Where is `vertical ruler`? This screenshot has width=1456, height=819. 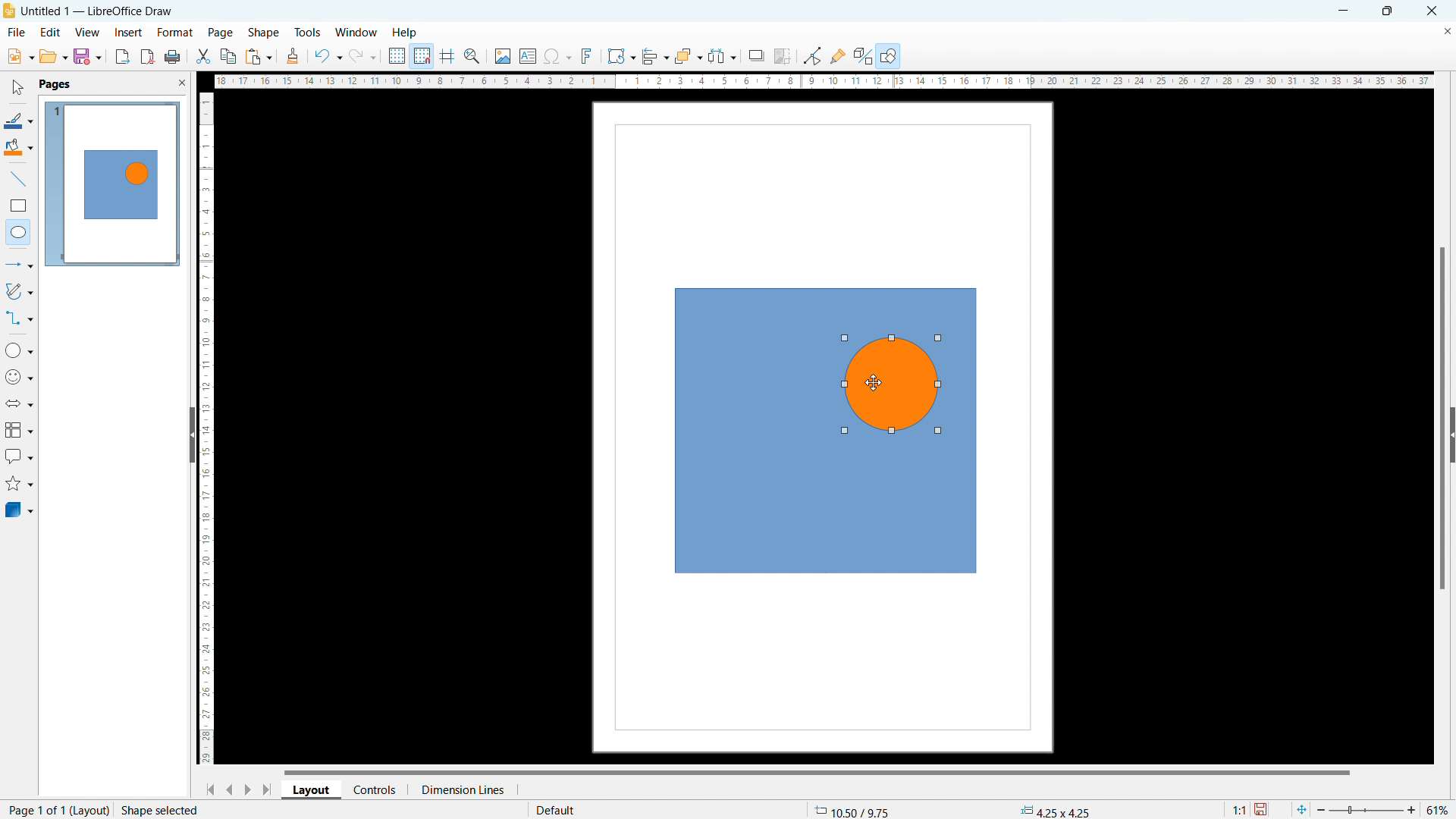 vertical ruler is located at coordinates (206, 428).